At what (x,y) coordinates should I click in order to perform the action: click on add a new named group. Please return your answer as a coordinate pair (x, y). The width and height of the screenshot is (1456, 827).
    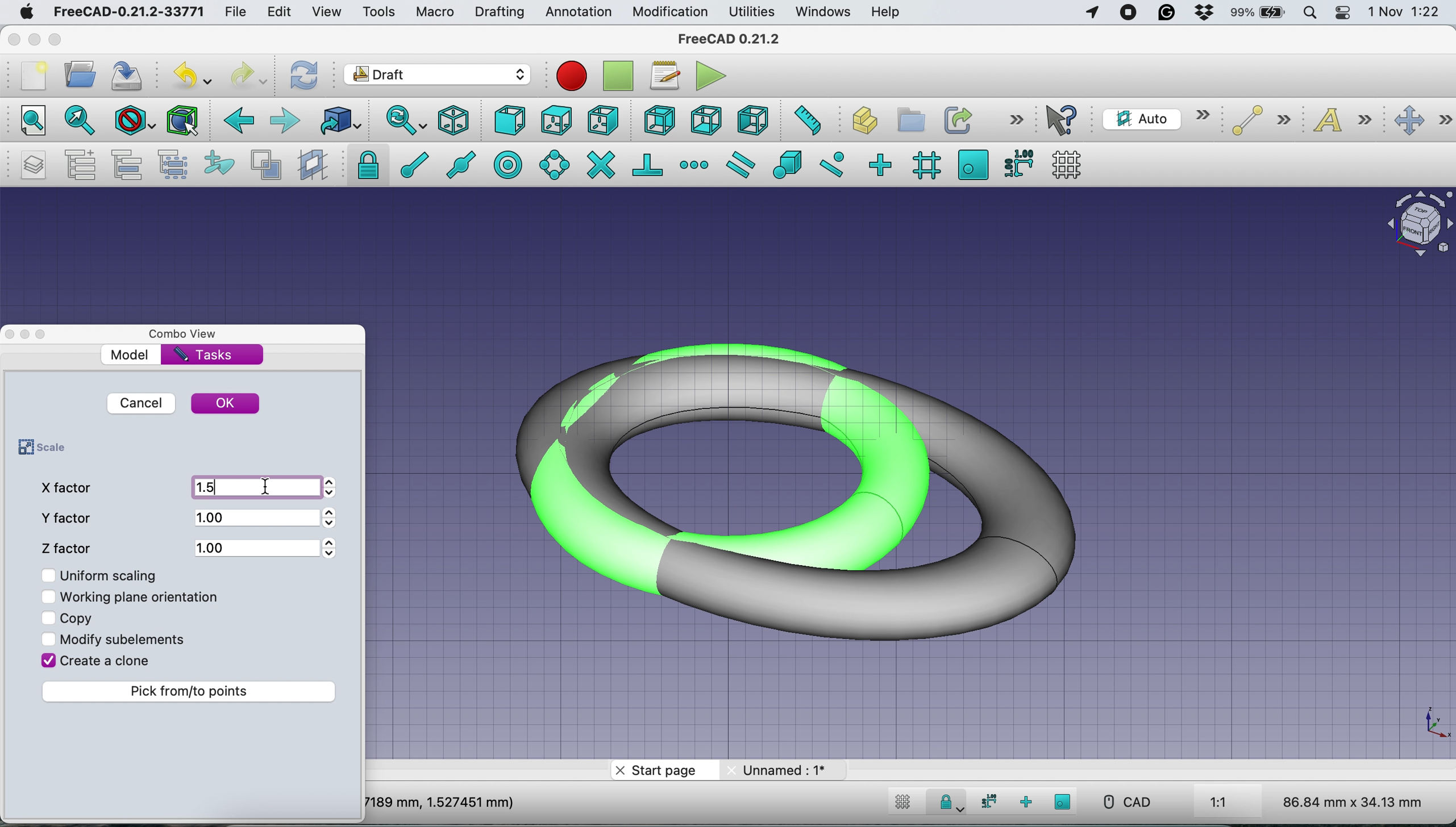
    Looking at the image, I should click on (81, 164).